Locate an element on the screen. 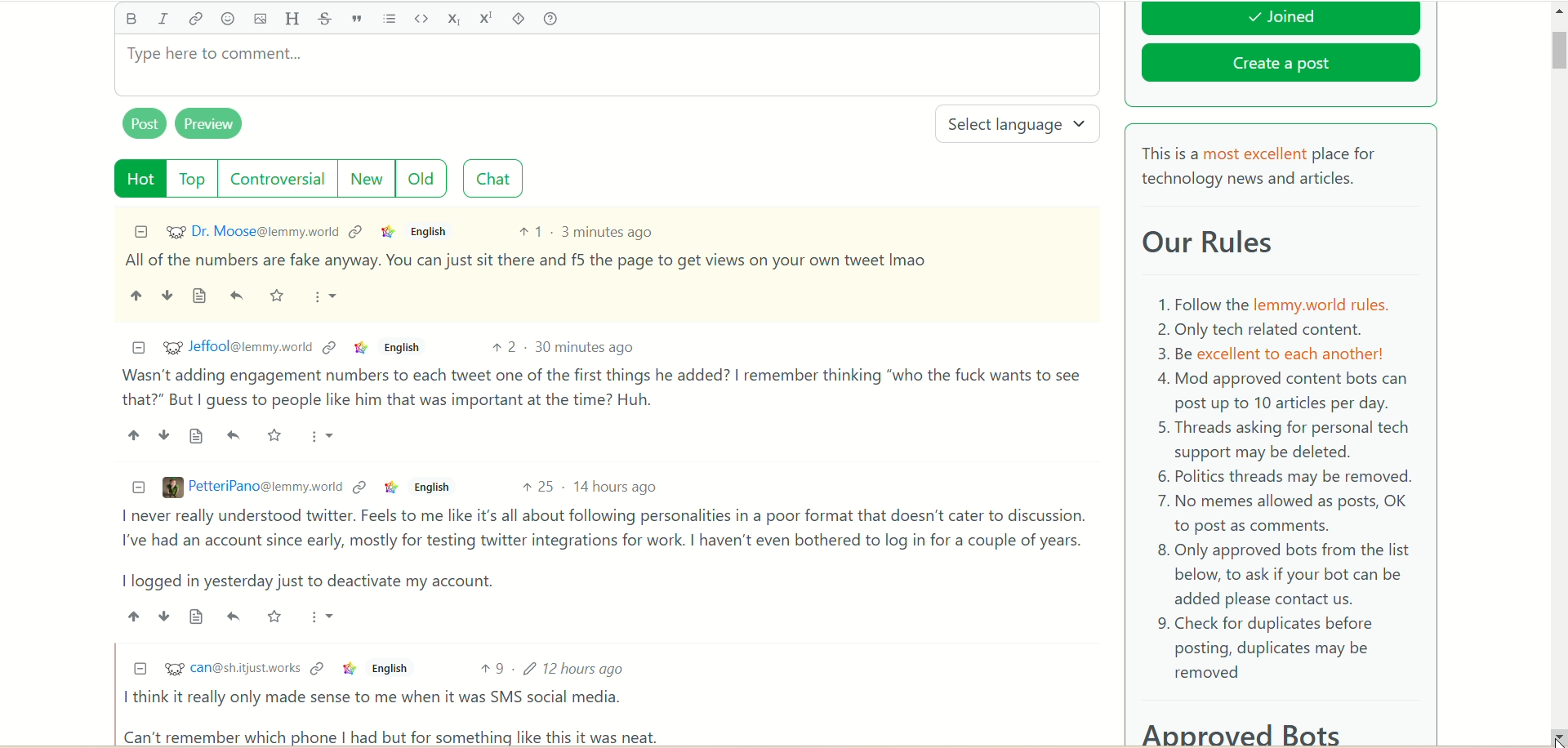 The height and width of the screenshot is (748, 1568). Collapse is located at coordinates (140, 488).